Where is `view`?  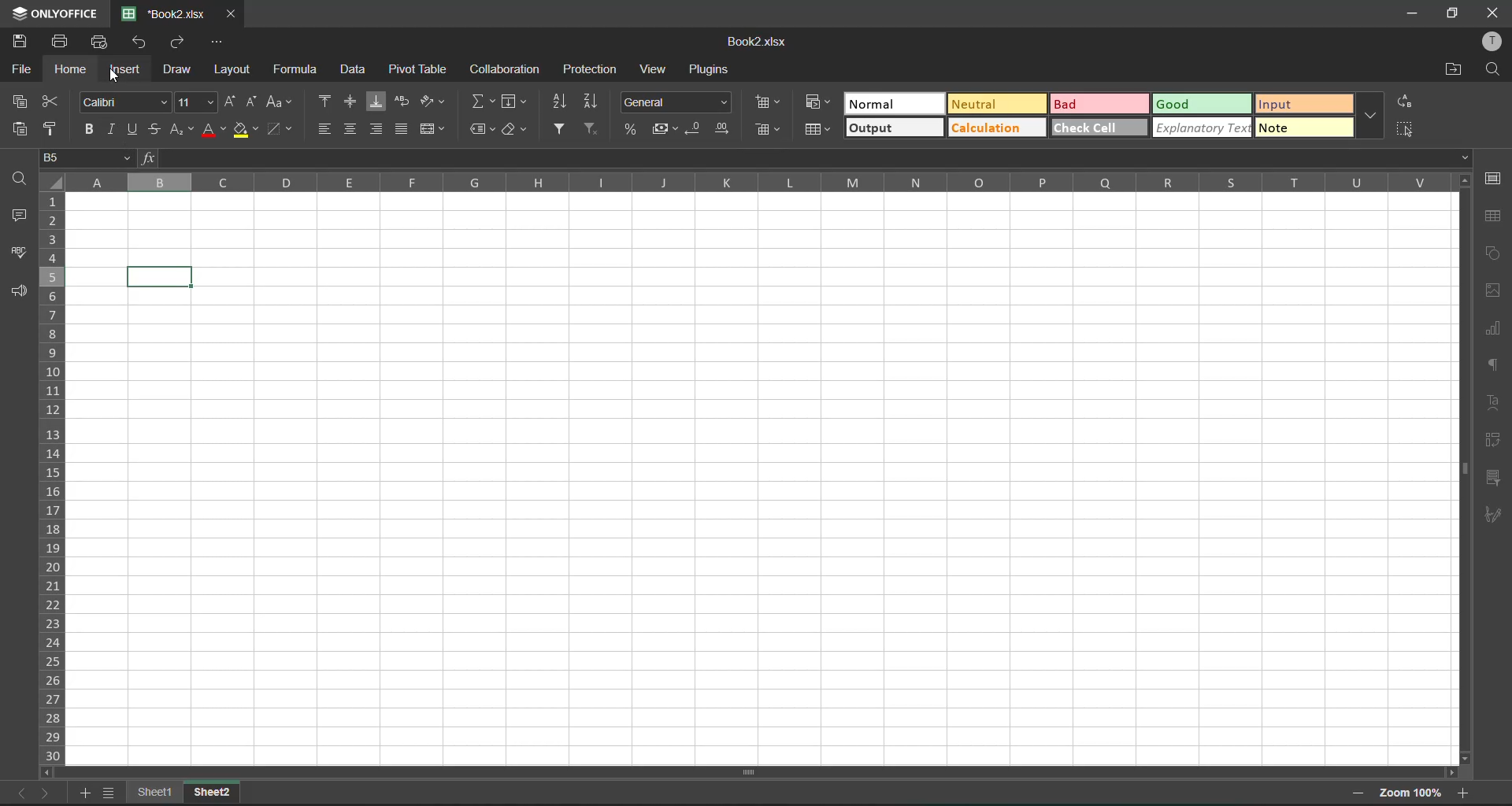 view is located at coordinates (657, 72).